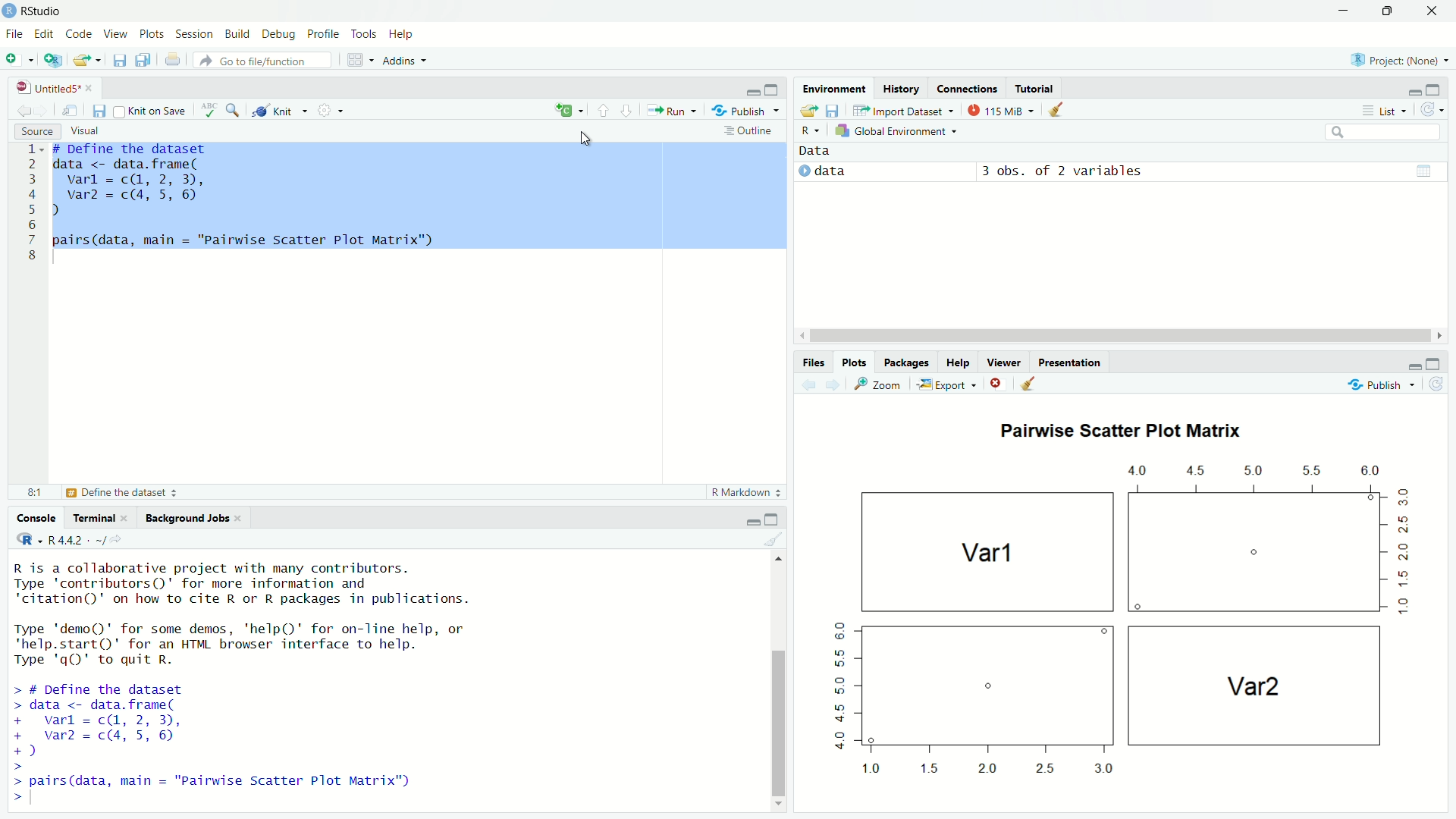 Image resolution: width=1456 pixels, height=819 pixels. What do you see at coordinates (1414, 366) in the screenshot?
I see `Minimize` at bounding box center [1414, 366].